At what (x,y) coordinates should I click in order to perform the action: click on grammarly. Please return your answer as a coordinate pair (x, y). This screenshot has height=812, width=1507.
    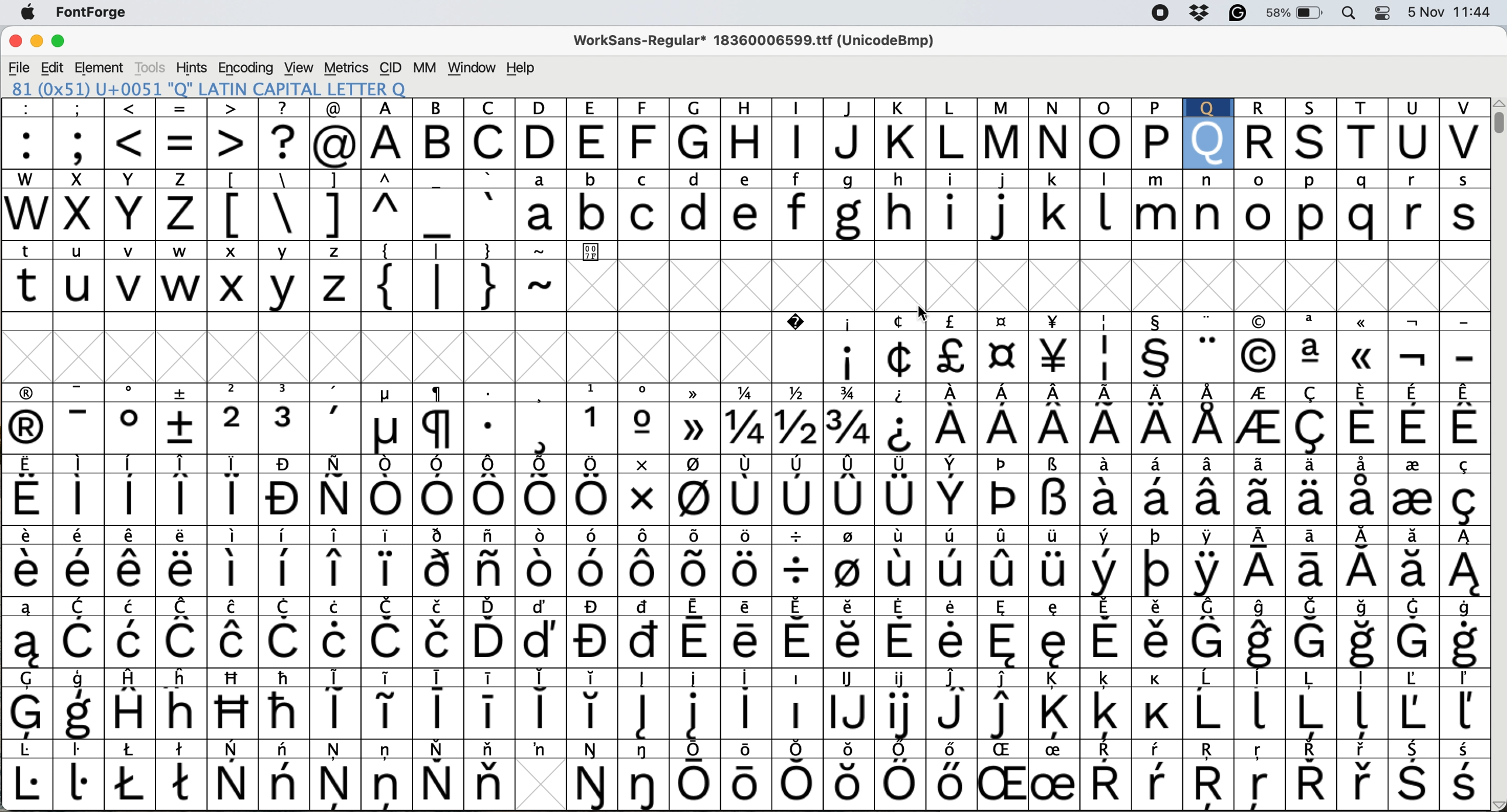
    Looking at the image, I should click on (1242, 15).